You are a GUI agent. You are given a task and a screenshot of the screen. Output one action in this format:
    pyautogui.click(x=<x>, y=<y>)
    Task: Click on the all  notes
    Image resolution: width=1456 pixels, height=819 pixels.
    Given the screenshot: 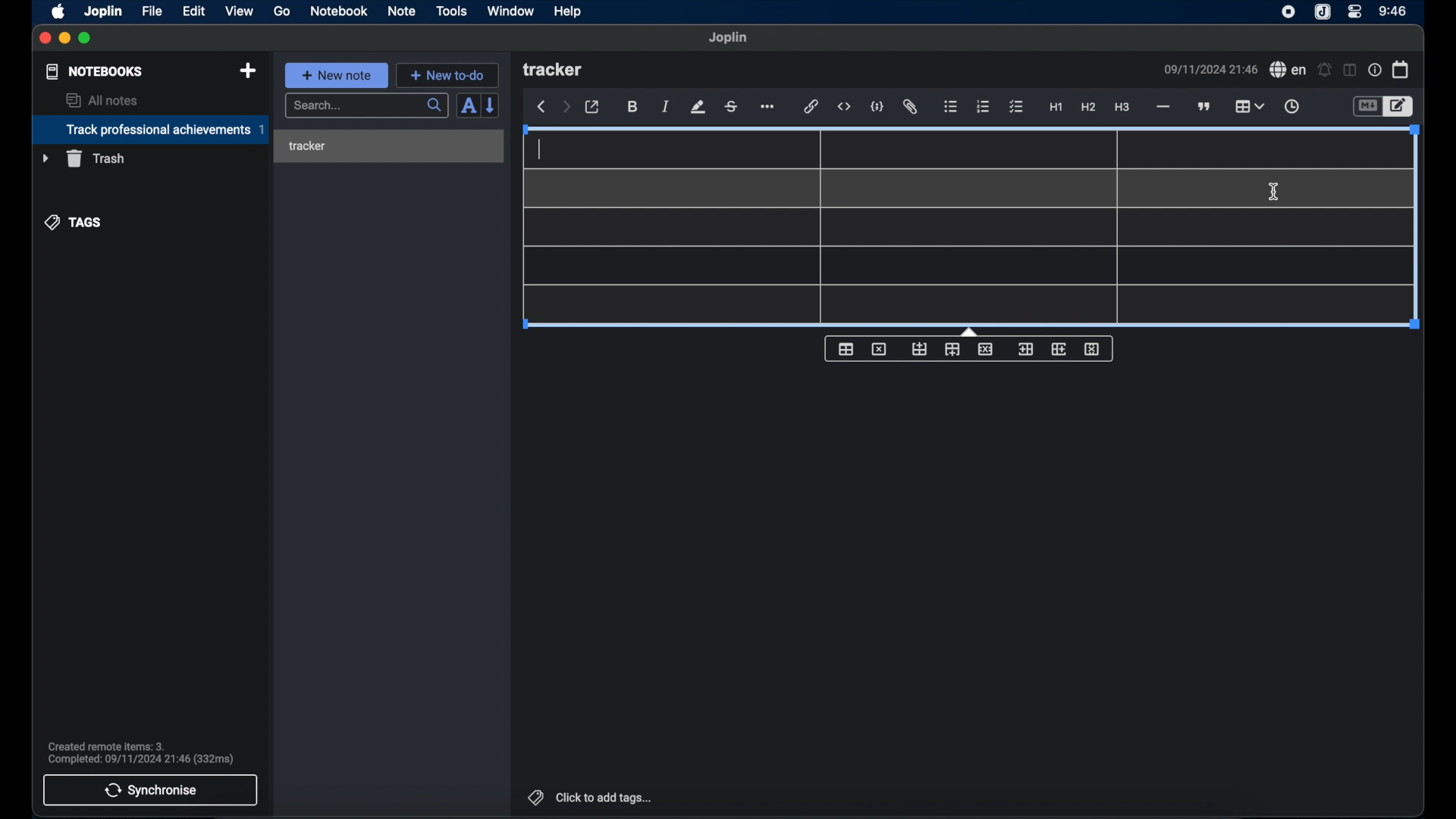 What is the action you would take?
    pyautogui.click(x=102, y=100)
    